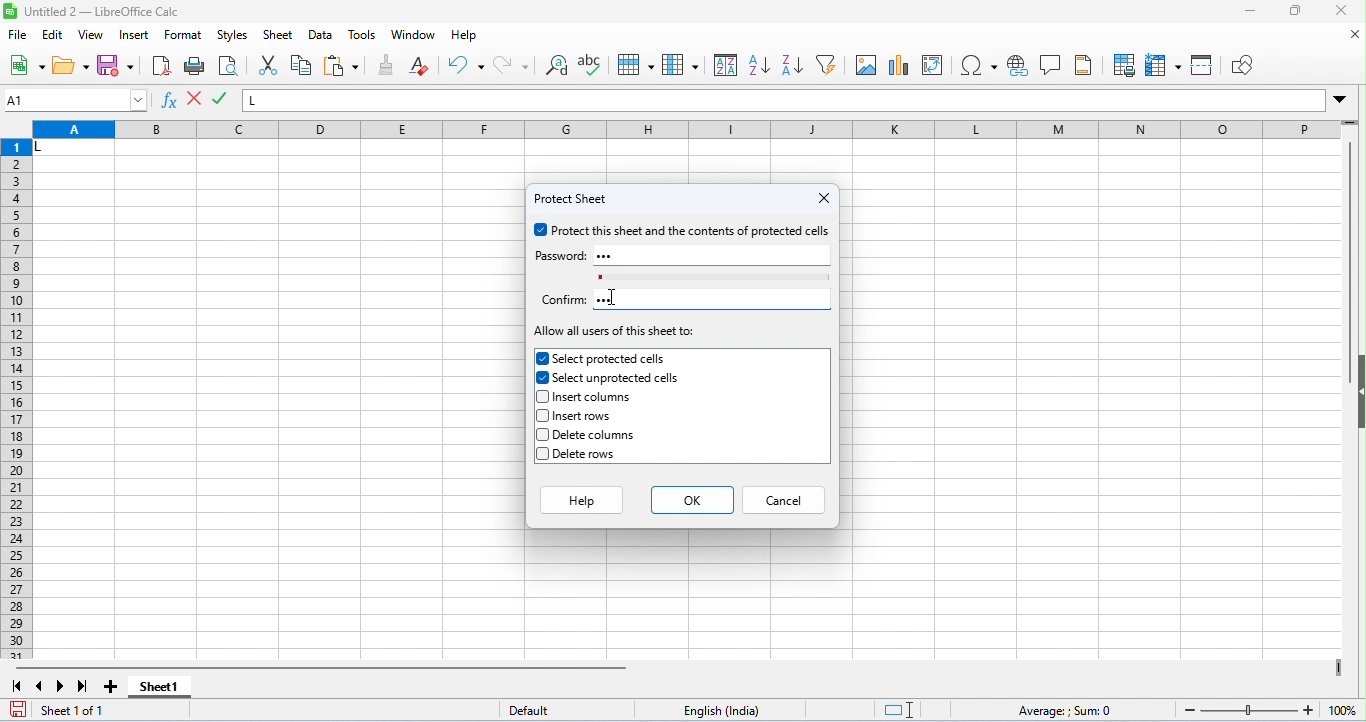 This screenshot has width=1366, height=722. I want to click on close, so click(1339, 11).